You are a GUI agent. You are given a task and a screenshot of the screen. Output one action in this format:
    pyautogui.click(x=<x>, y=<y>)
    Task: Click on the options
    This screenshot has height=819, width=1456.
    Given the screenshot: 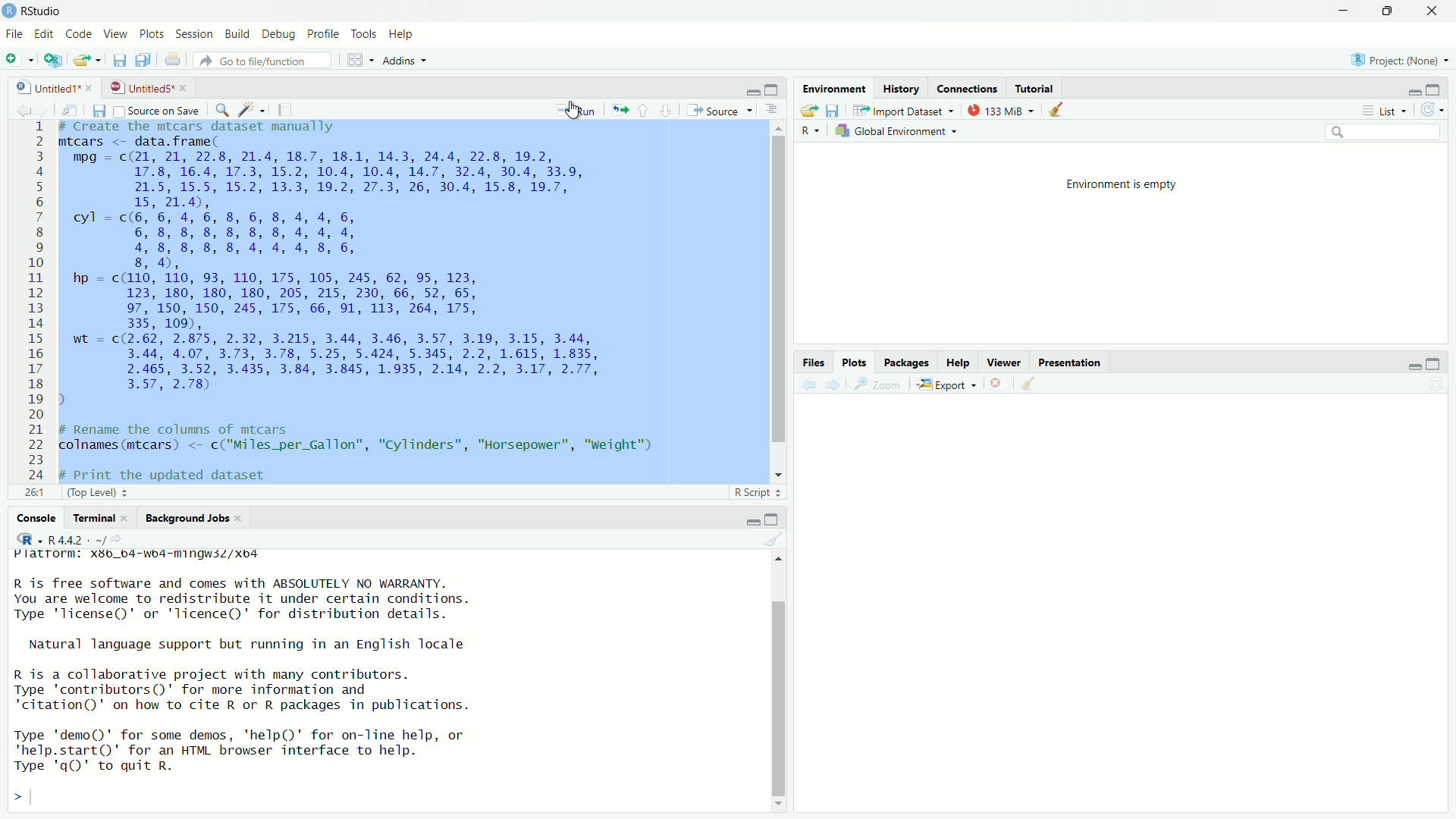 What is the action you would take?
    pyautogui.click(x=775, y=110)
    